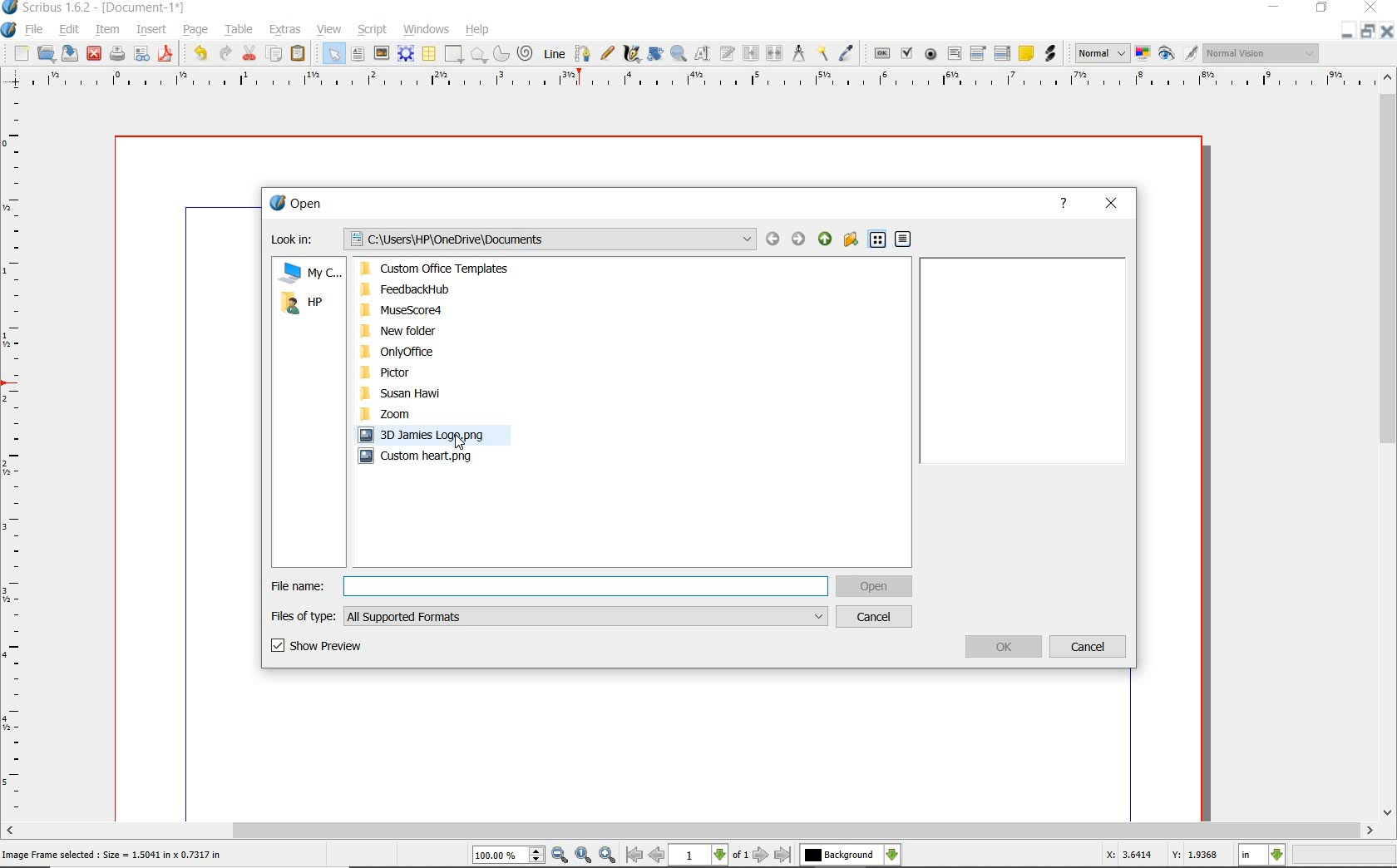 The height and width of the screenshot is (868, 1397). What do you see at coordinates (875, 588) in the screenshot?
I see `open` at bounding box center [875, 588].